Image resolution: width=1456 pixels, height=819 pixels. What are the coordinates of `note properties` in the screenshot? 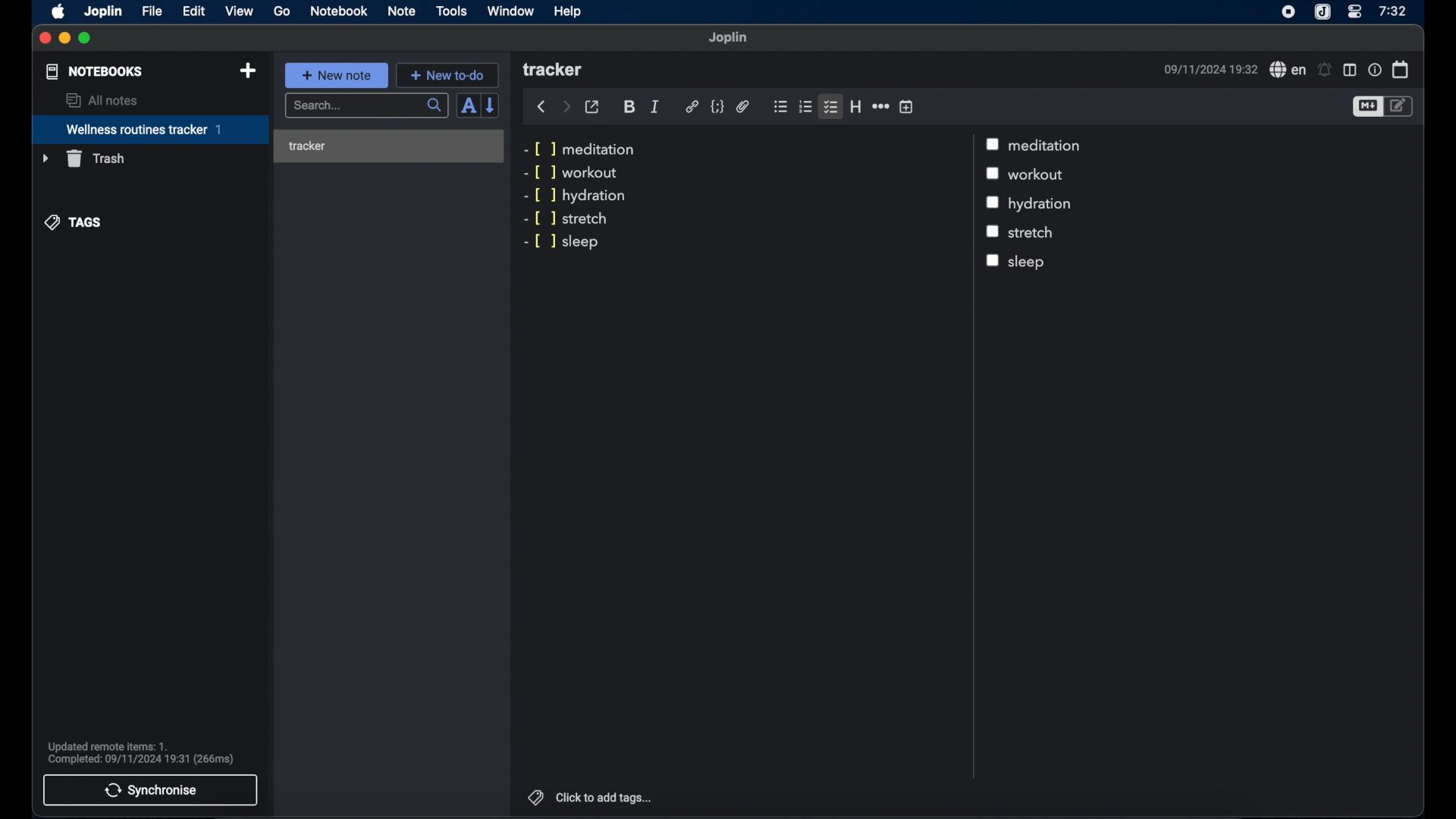 It's located at (1374, 69).